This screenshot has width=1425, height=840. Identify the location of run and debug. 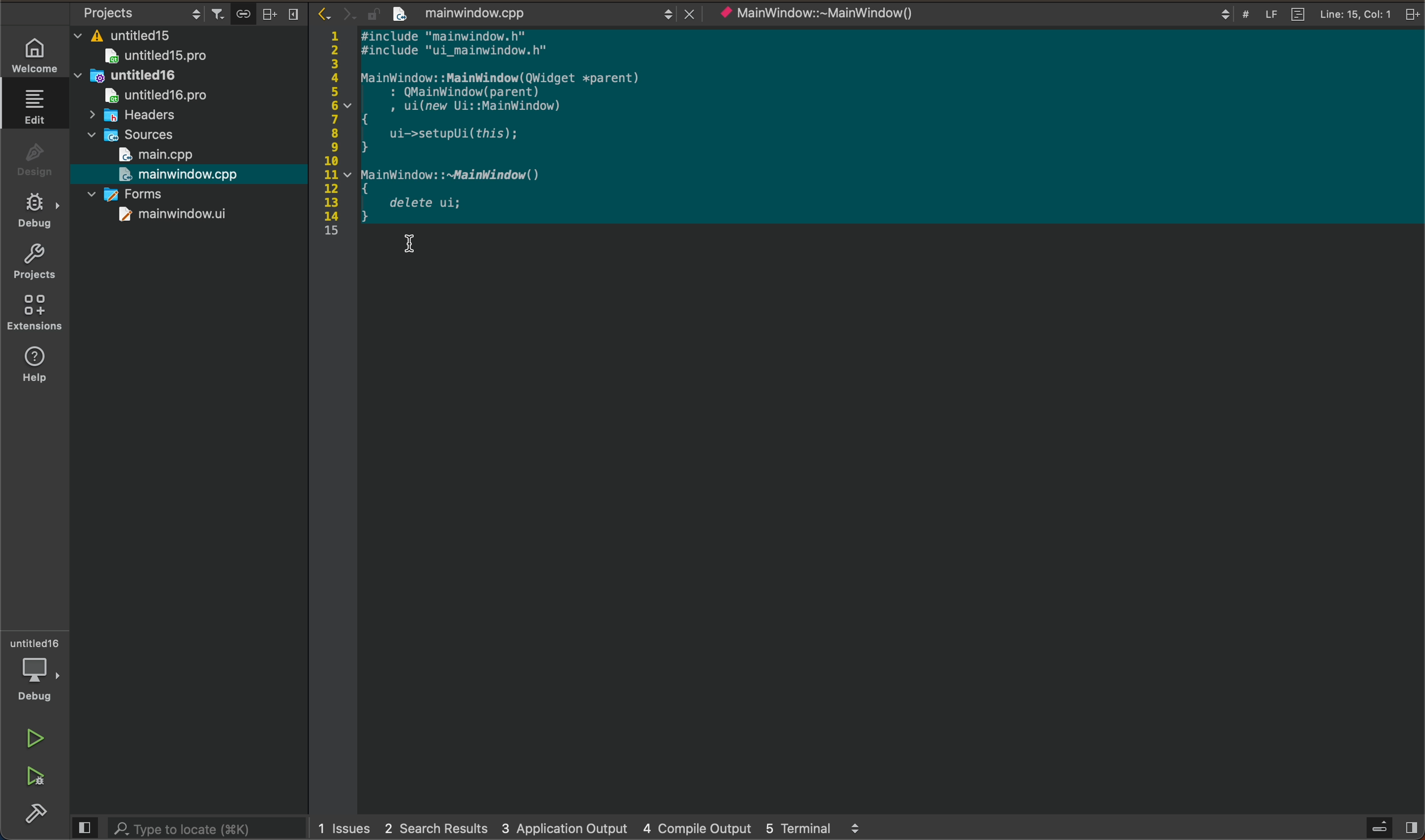
(38, 779).